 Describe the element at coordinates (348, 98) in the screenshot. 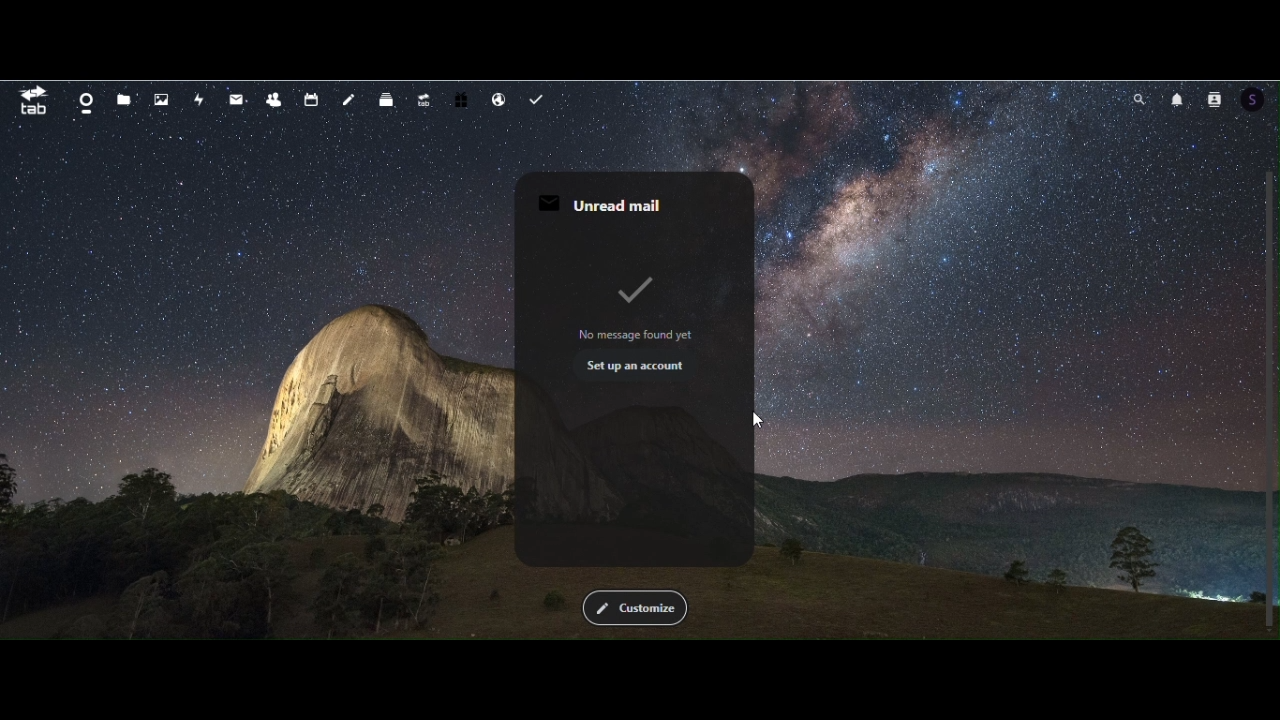

I see `notes` at that location.